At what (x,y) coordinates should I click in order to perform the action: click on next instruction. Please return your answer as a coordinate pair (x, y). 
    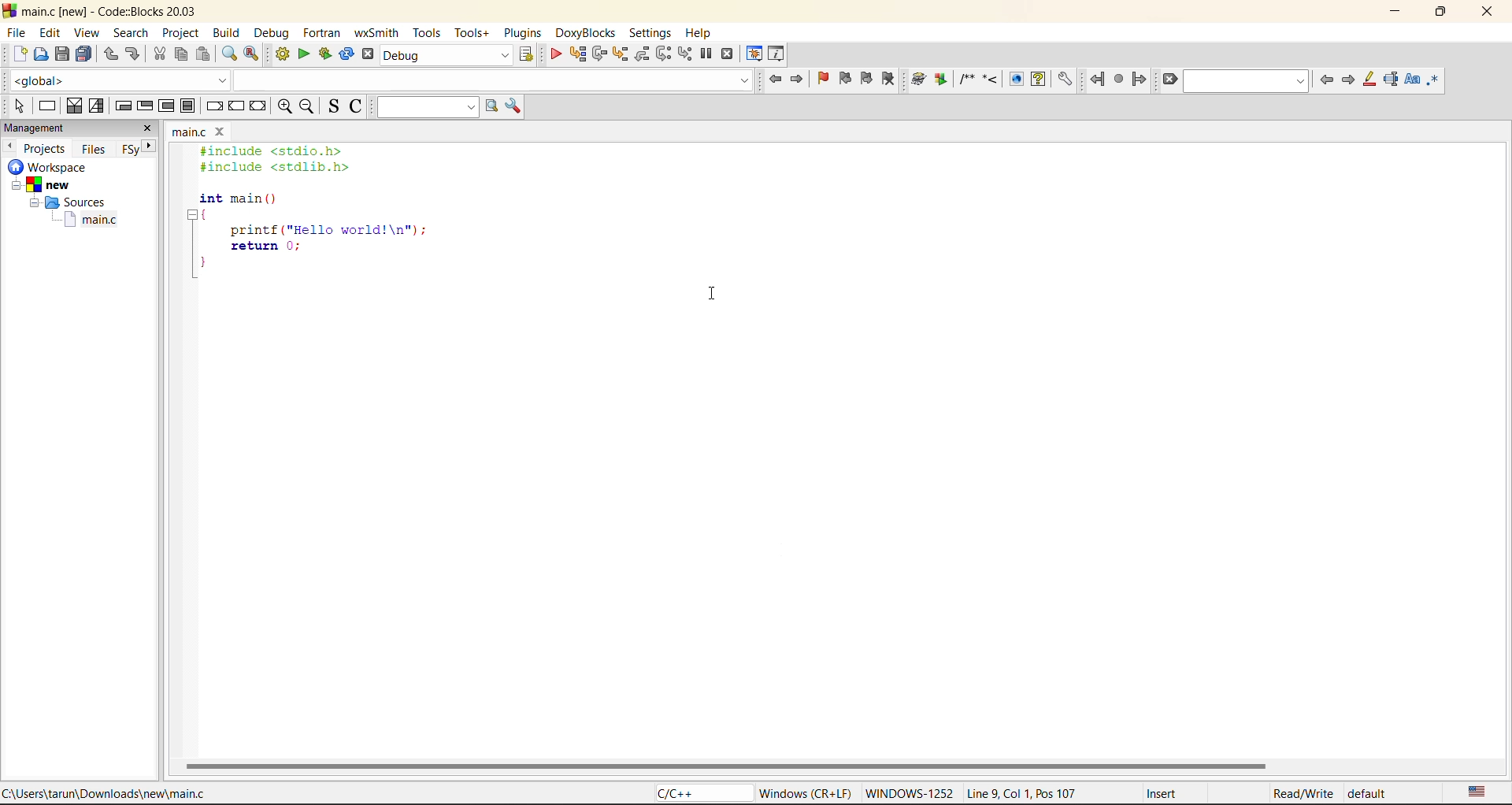
    Looking at the image, I should click on (661, 53).